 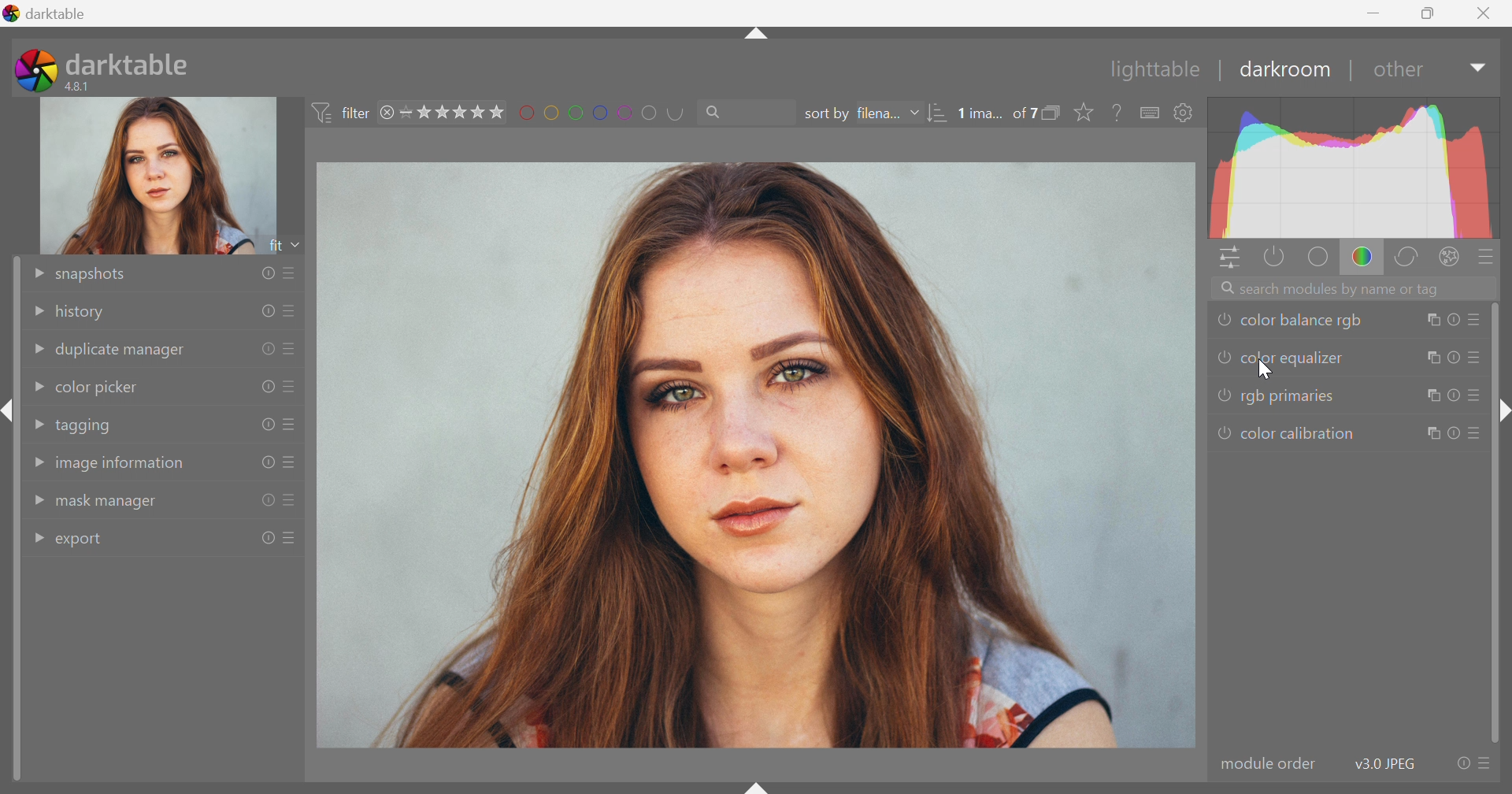 What do you see at coordinates (265, 463) in the screenshot?
I see `reset` at bounding box center [265, 463].